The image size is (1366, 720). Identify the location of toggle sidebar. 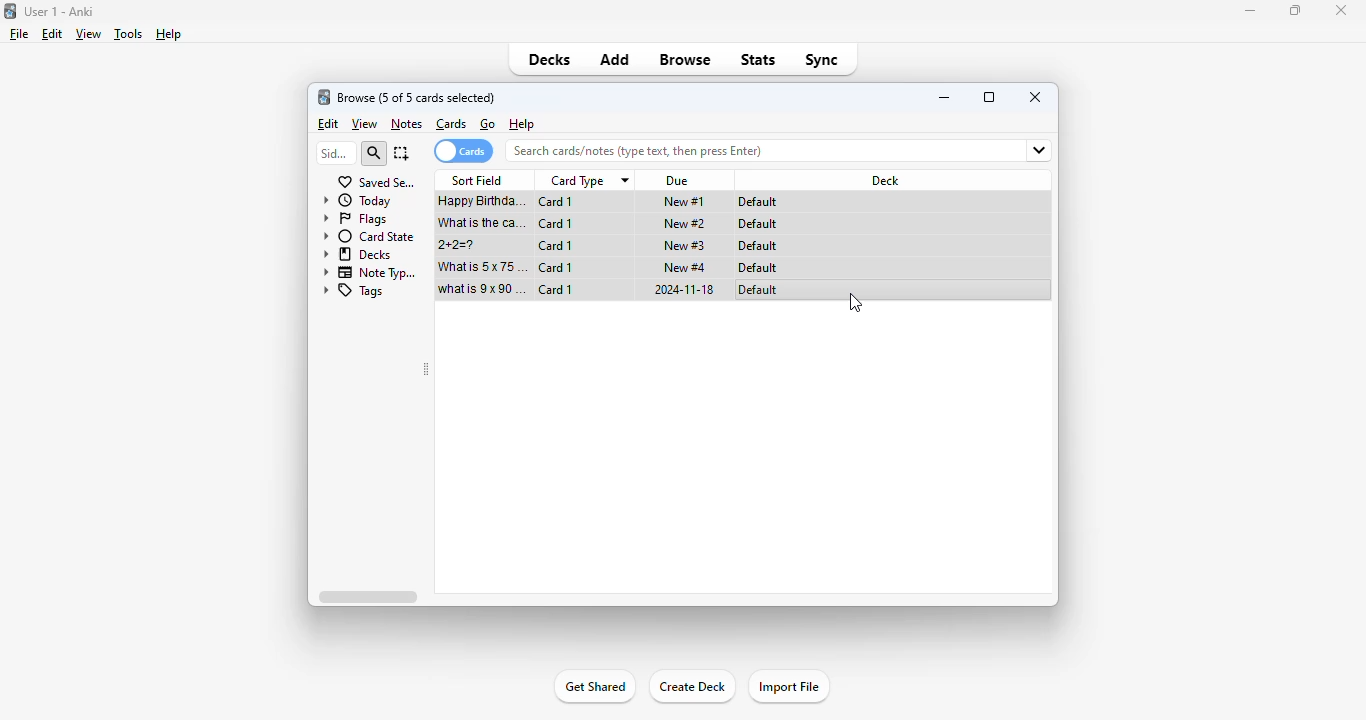
(426, 369).